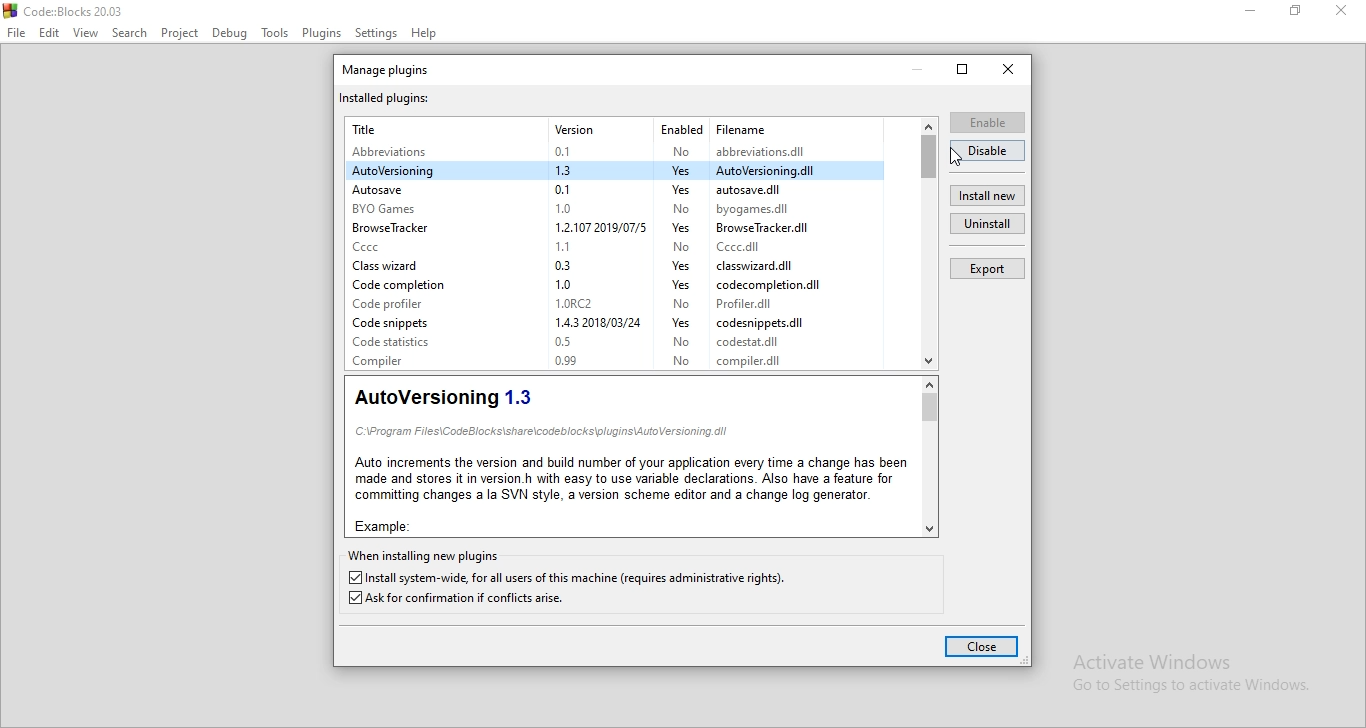 This screenshot has width=1366, height=728. What do you see at coordinates (987, 222) in the screenshot?
I see `uninstall` at bounding box center [987, 222].